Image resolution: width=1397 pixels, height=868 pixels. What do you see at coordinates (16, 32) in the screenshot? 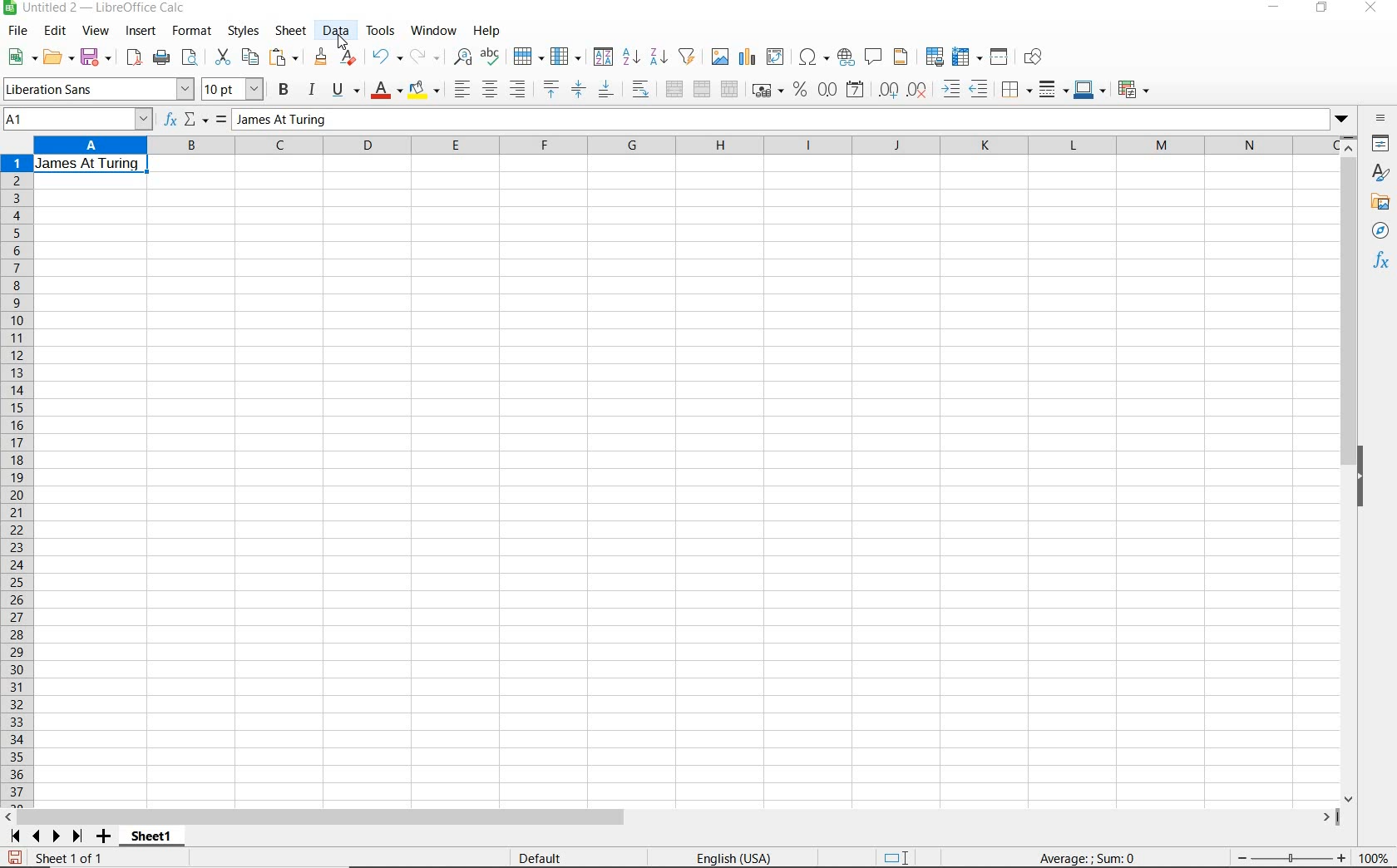
I see `file` at bounding box center [16, 32].